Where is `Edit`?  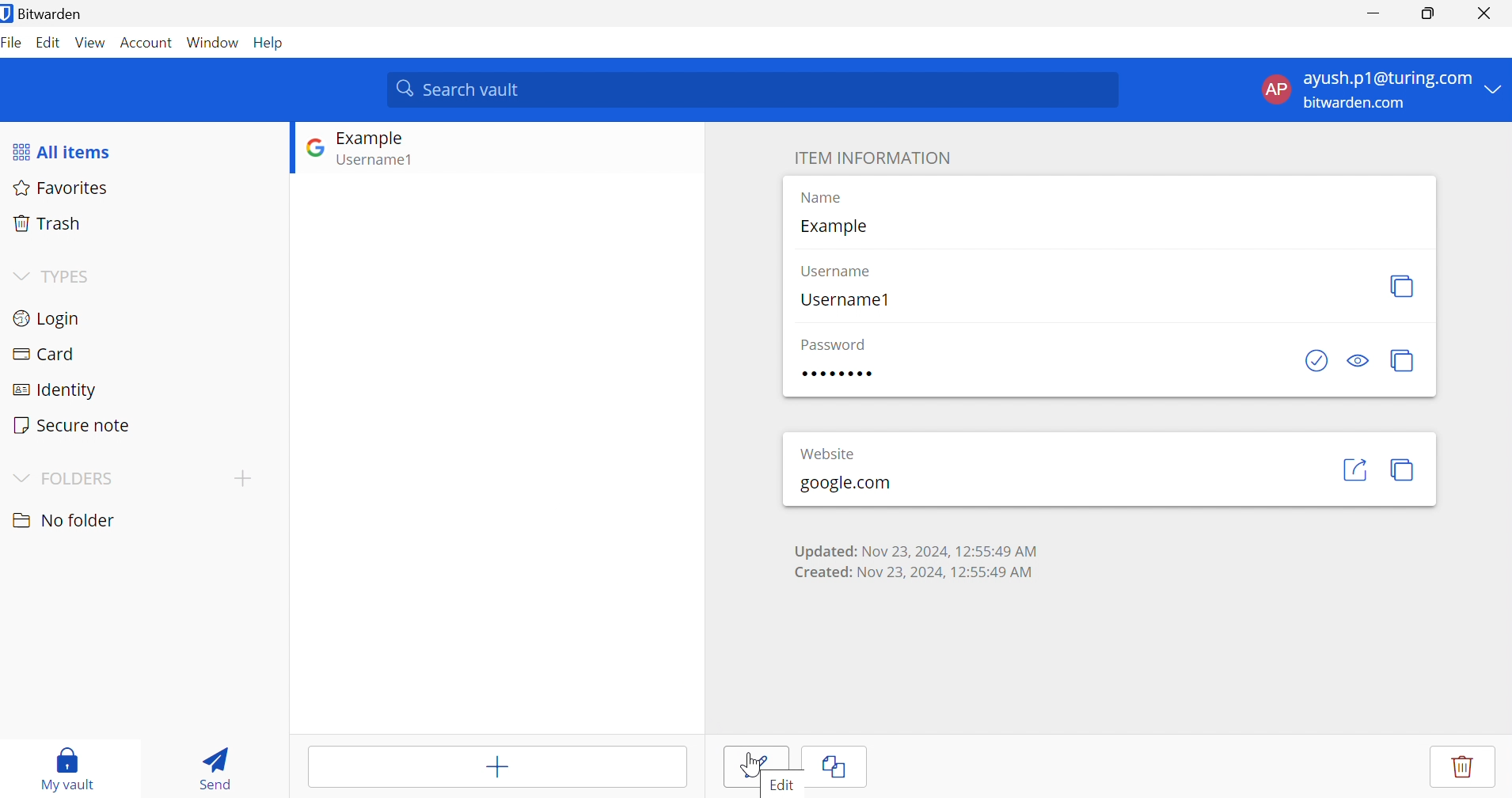
Edit is located at coordinates (48, 44).